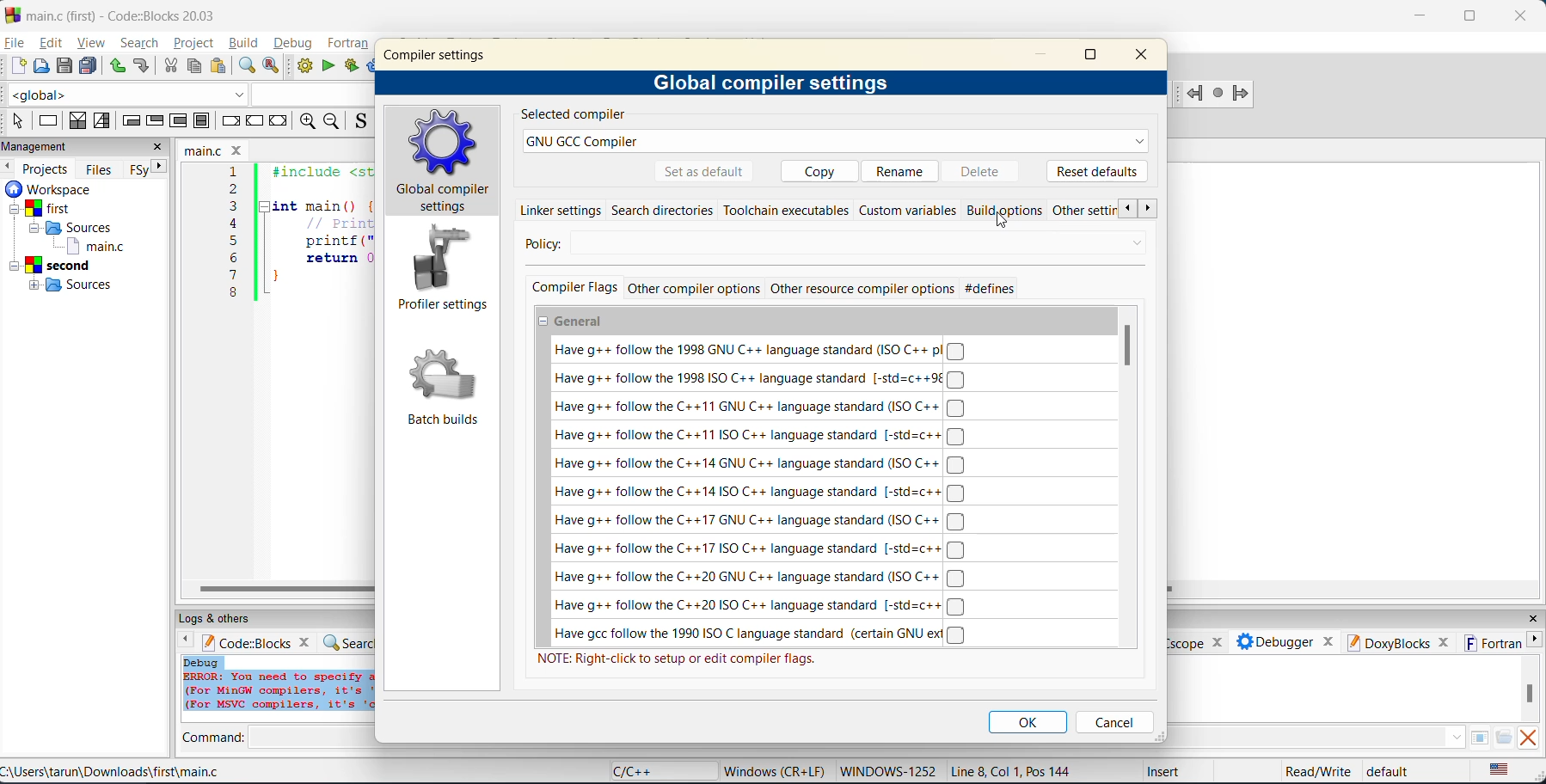 The width and height of the screenshot is (1546, 784). I want to click on 'WINDOWS-1252, so click(887, 771).